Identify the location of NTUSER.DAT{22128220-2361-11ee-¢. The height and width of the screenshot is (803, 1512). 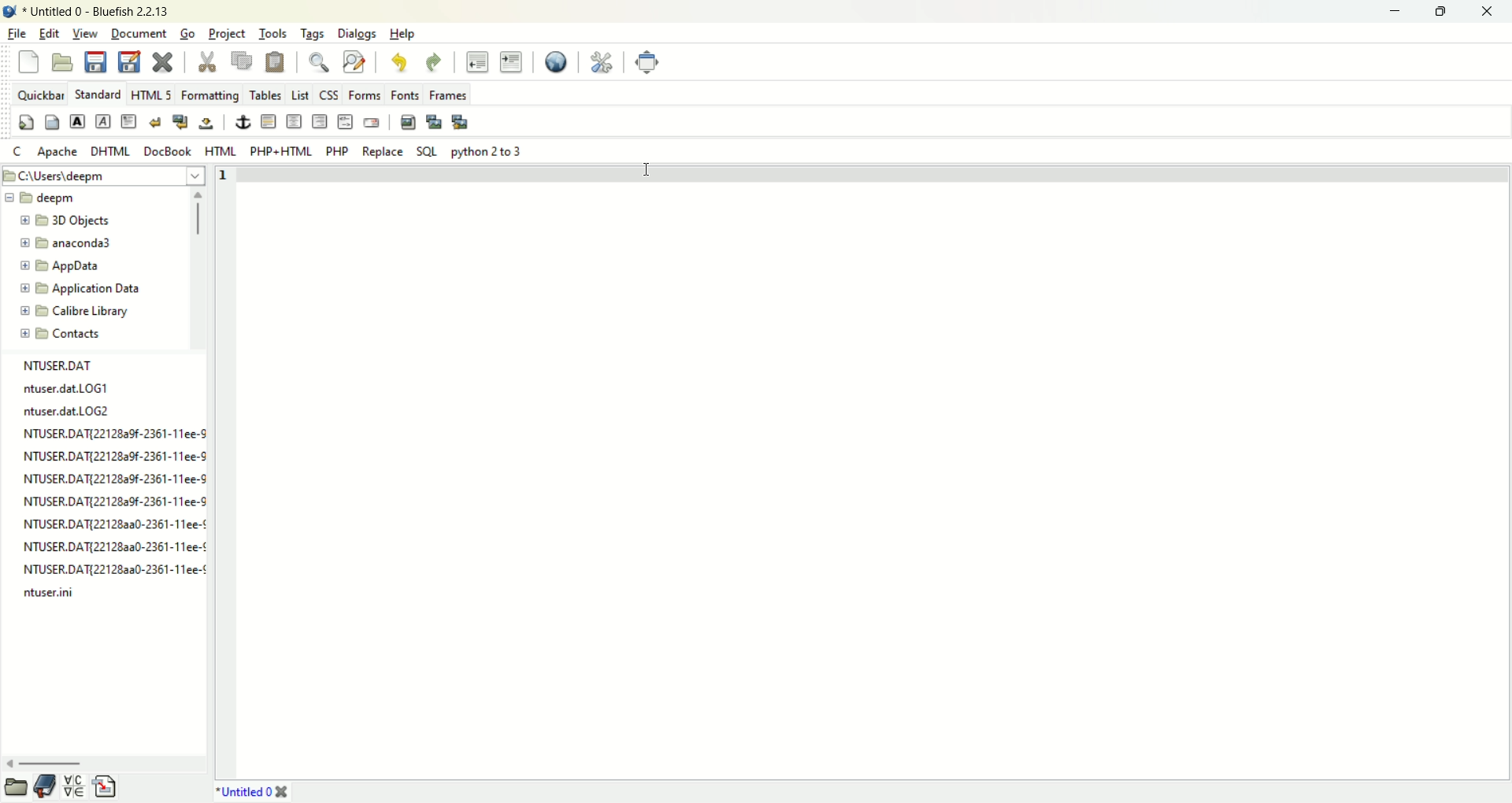
(113, 520).